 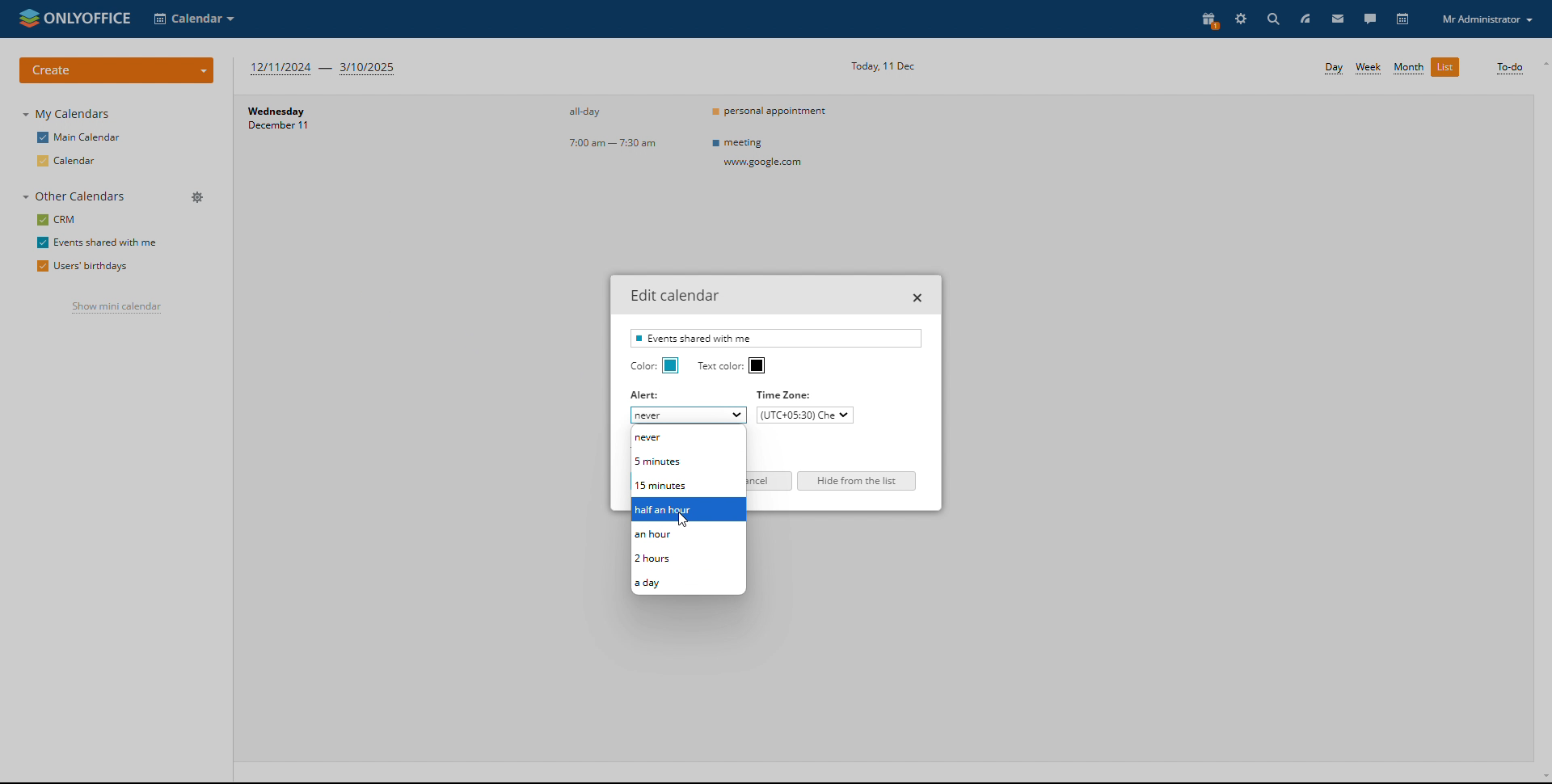 What do you see at coordinates (646, 396) in the screenshot?
I see `Alert:` at bounding box center [646, 396].